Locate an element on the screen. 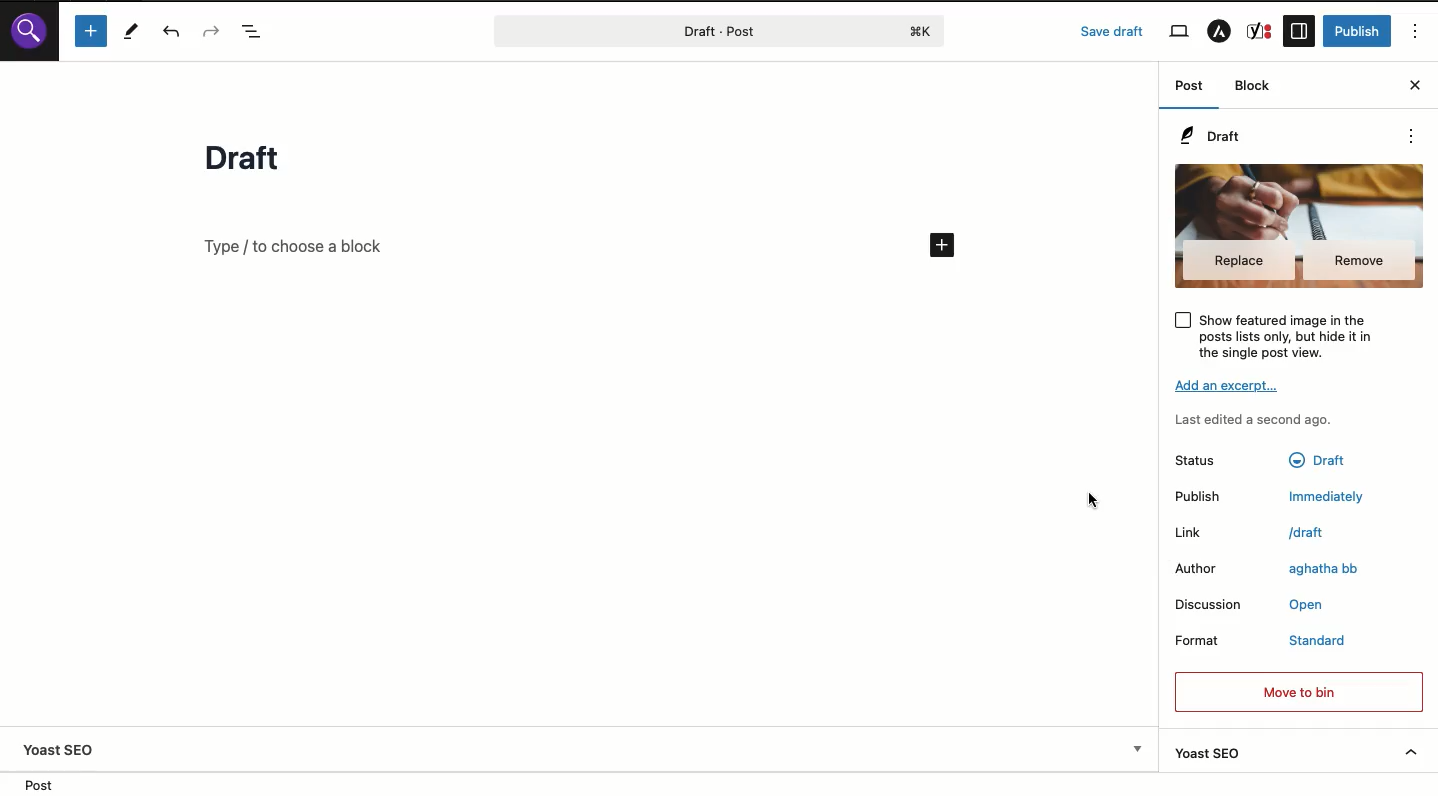  Text  is located at coordinates (1326, 569).